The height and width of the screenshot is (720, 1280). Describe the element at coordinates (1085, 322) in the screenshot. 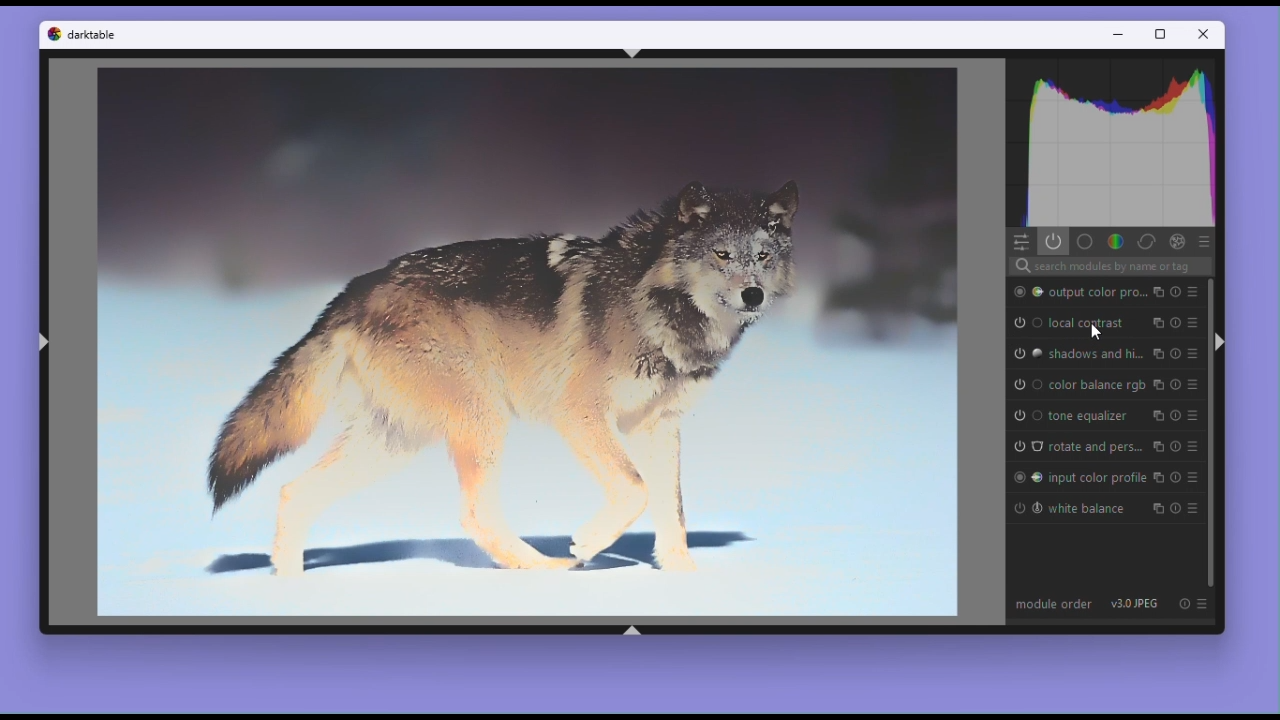

I see `local contrast` at that location.